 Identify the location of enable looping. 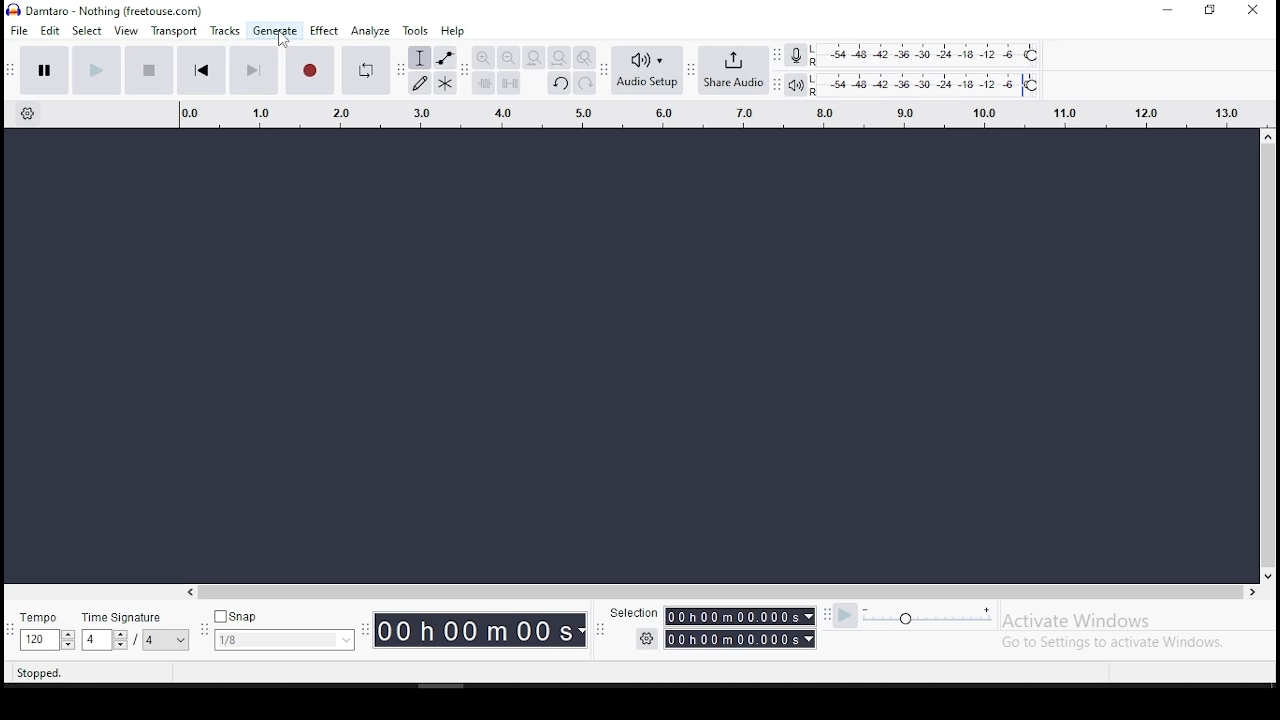
(365, 70).